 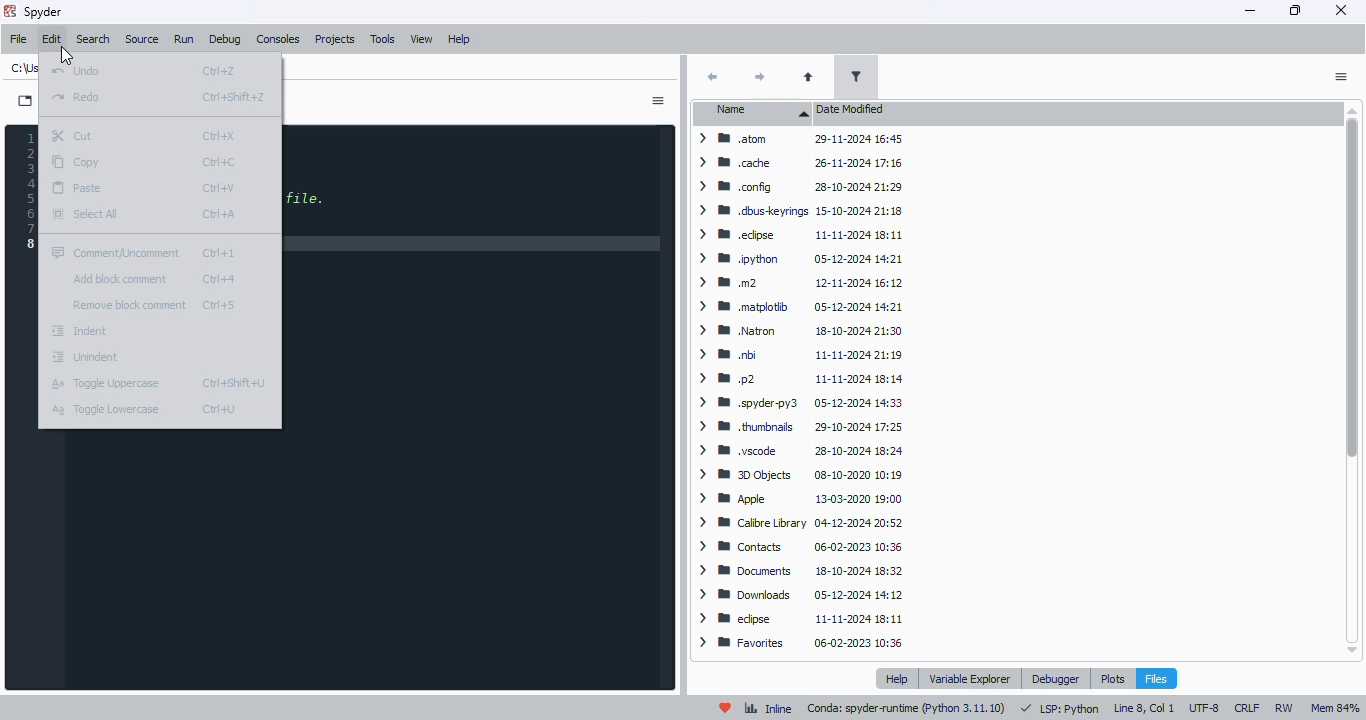 What do you see at coordinates (971, 678) in the screenshot?
I see `variable explorer` at bounding box center [971, 678].